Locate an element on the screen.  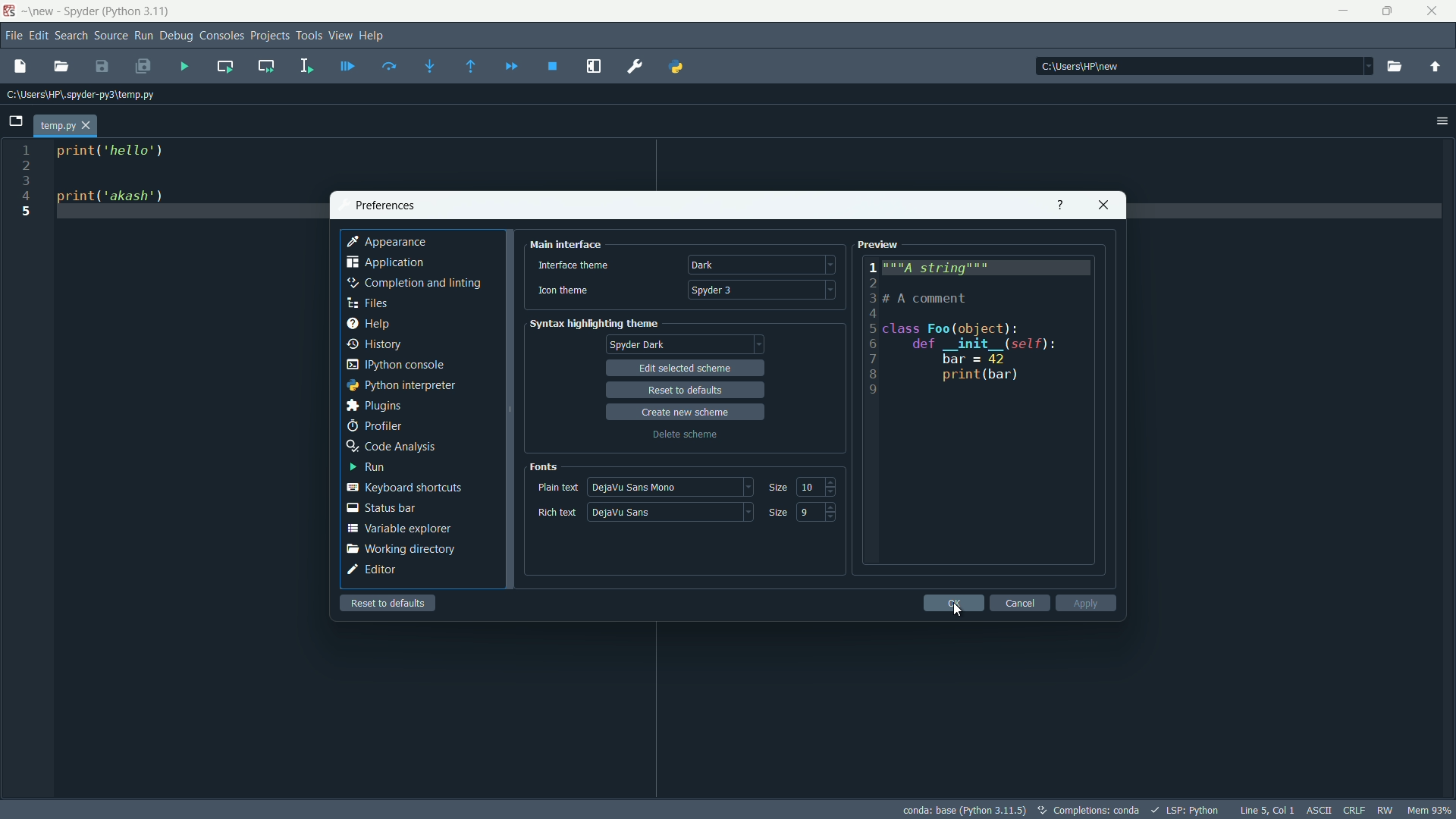
run current function is located at coordinates (225, 65).